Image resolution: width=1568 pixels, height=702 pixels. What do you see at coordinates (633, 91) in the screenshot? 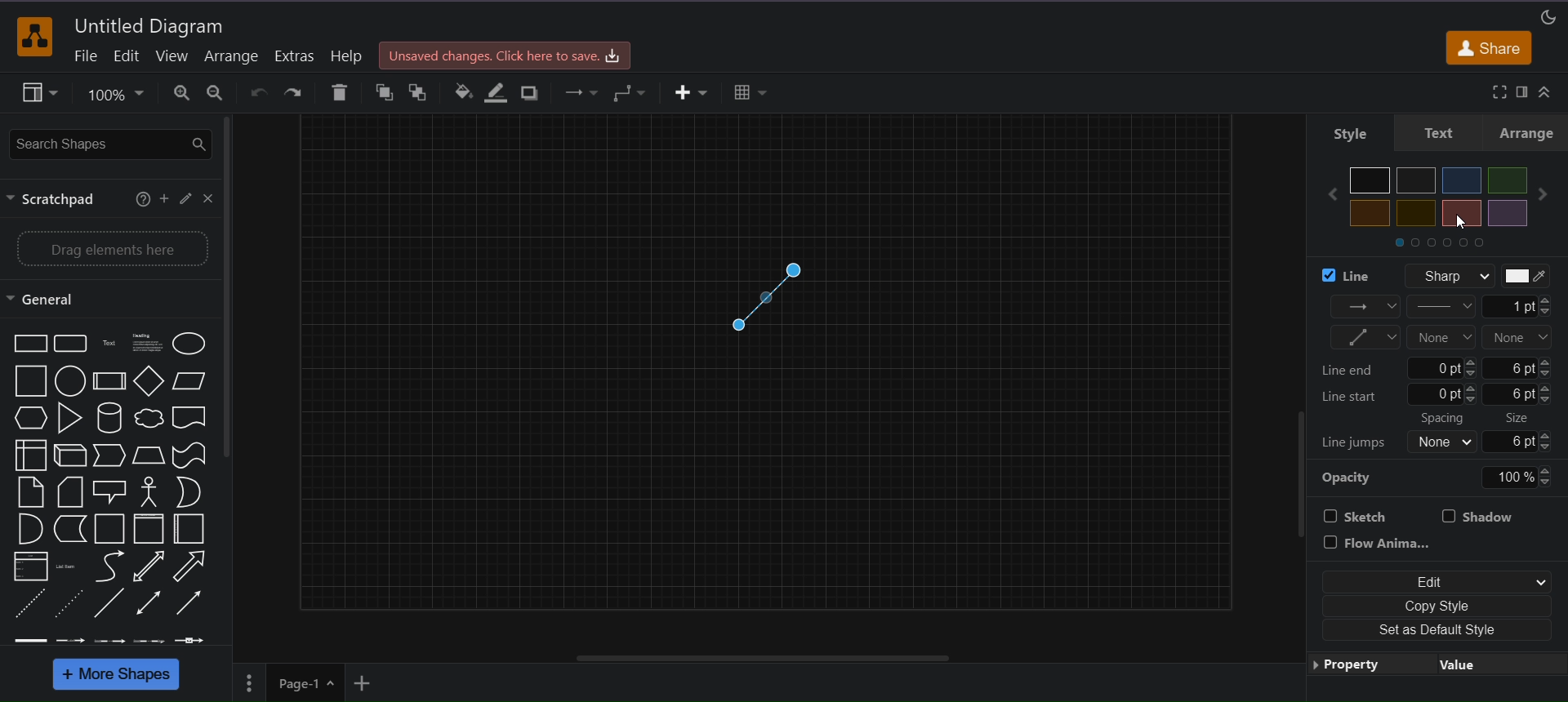
I see `waypoints` at bounding box center [633, 91].